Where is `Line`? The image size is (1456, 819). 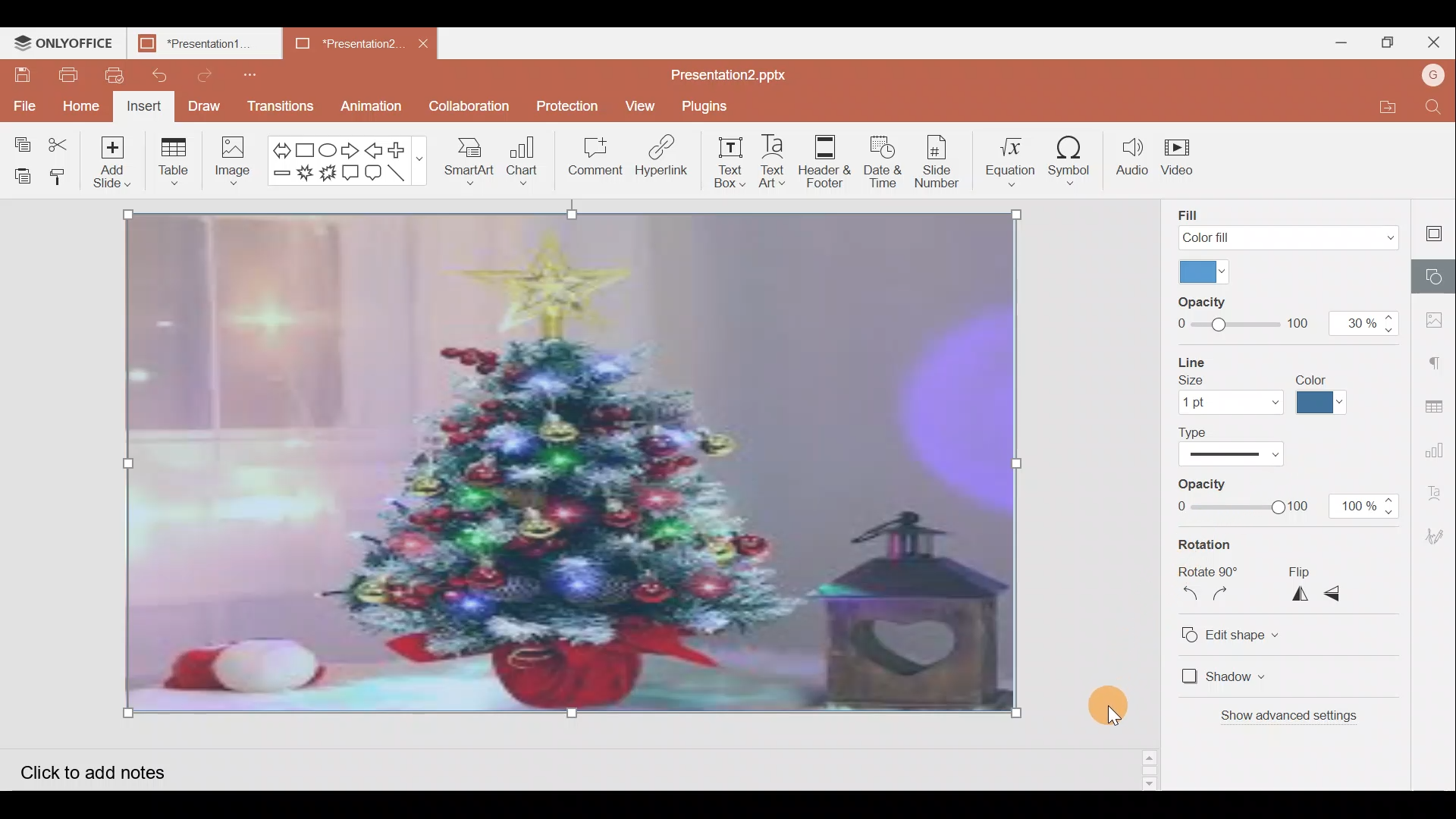 Line is located at coordinates (402, 175).